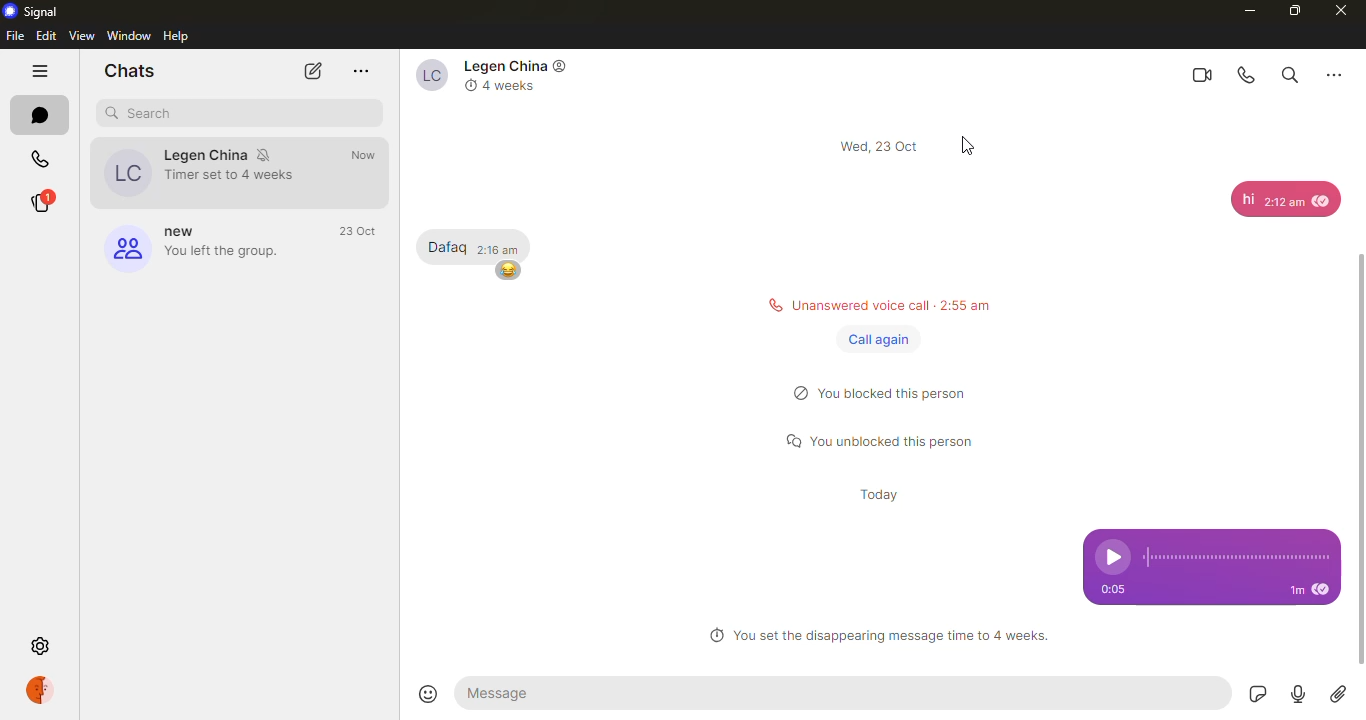 The image size is (1366, 720). Describe the element at coordinates (506, 248) in the screenshot. I see `time` at that location.